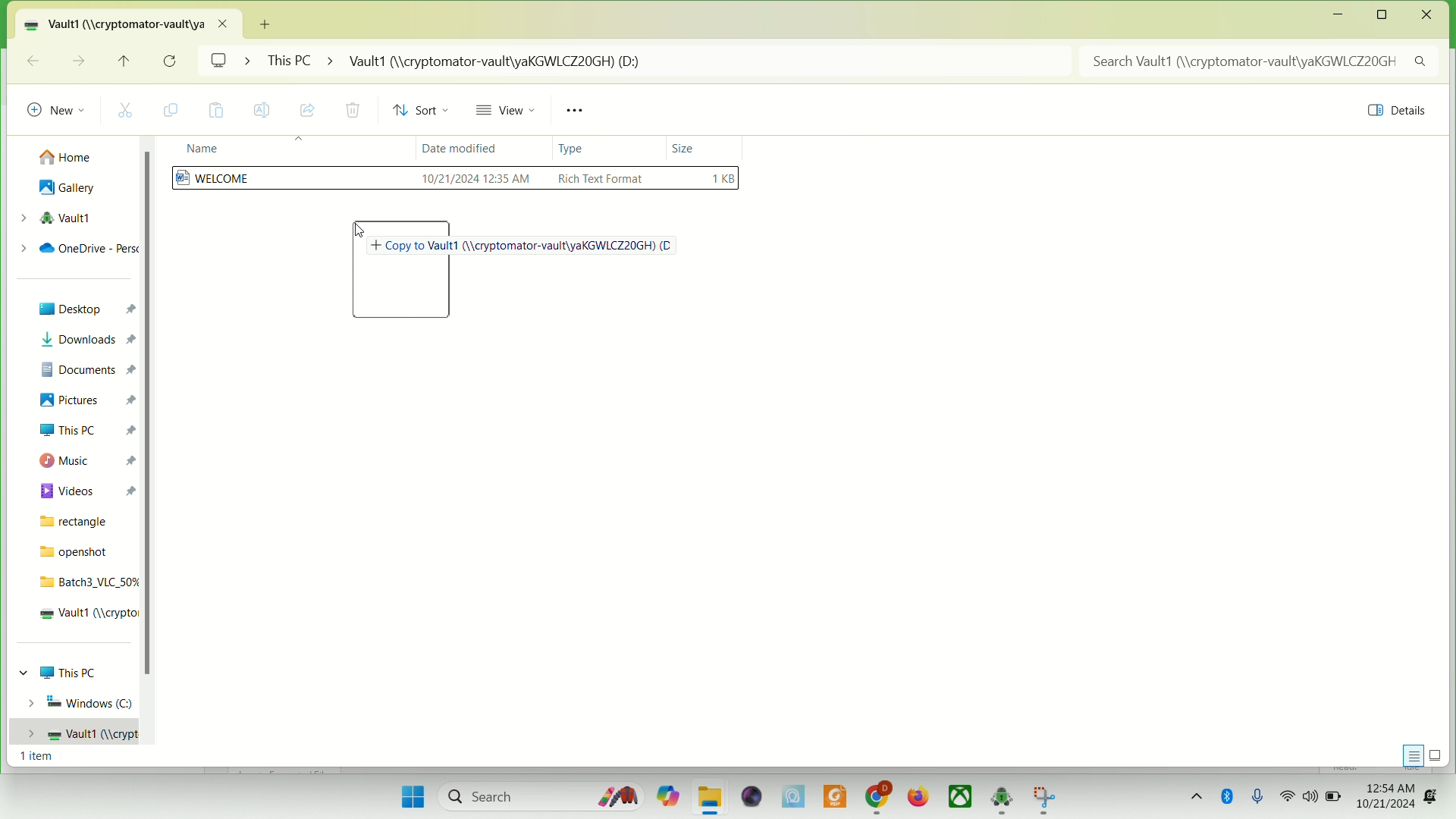 This screenshot has height=819, width=1456. What do you see at coordinates (217, 111) in the screenshot?
I see `paste` at bounding box center [217, 111].